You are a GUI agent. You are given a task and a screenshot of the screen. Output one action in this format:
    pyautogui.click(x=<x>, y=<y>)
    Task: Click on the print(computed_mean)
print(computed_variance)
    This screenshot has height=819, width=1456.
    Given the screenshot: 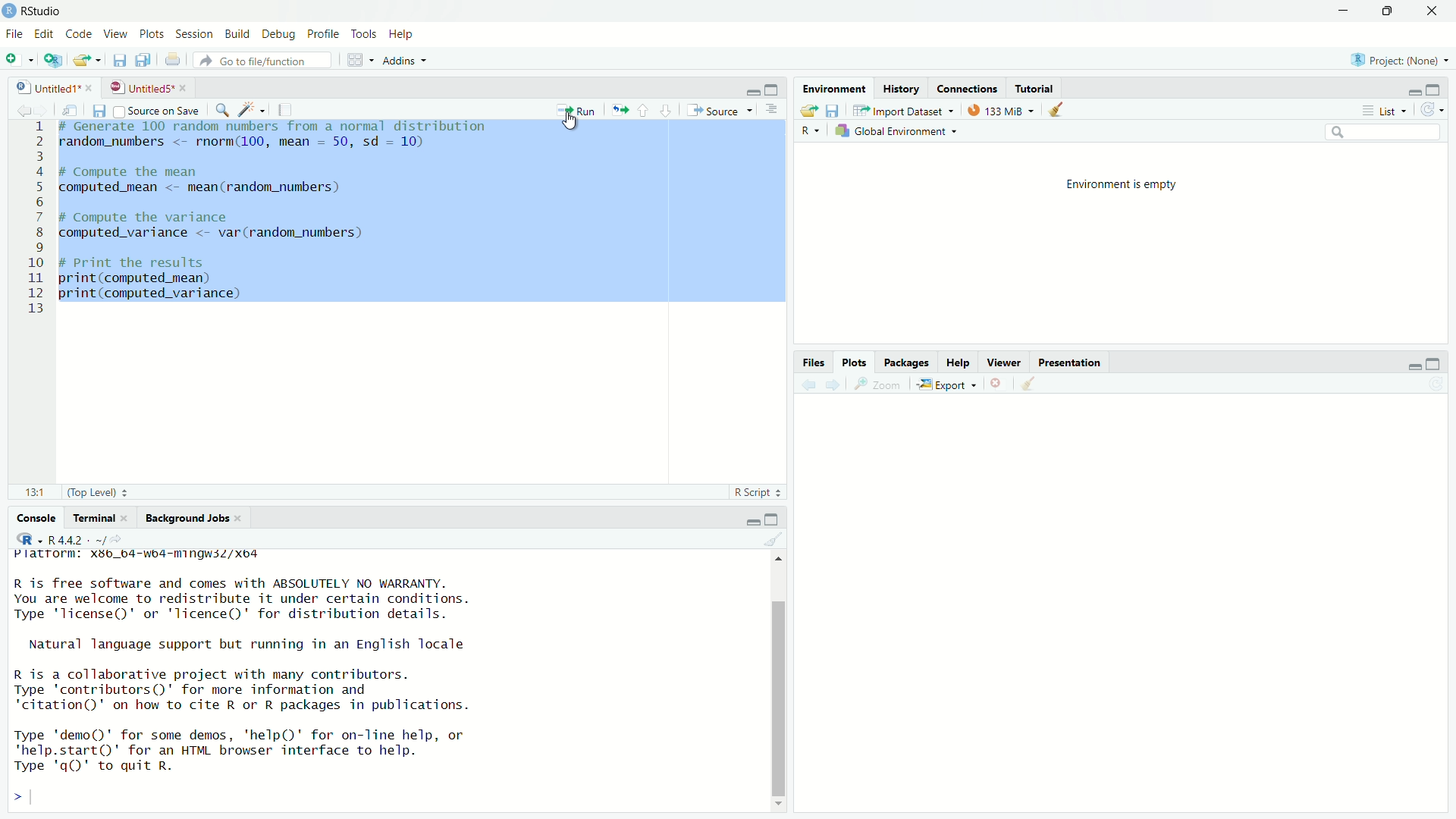 What is the action you would take?
    pyautogui.click(x=168, y=290)
    